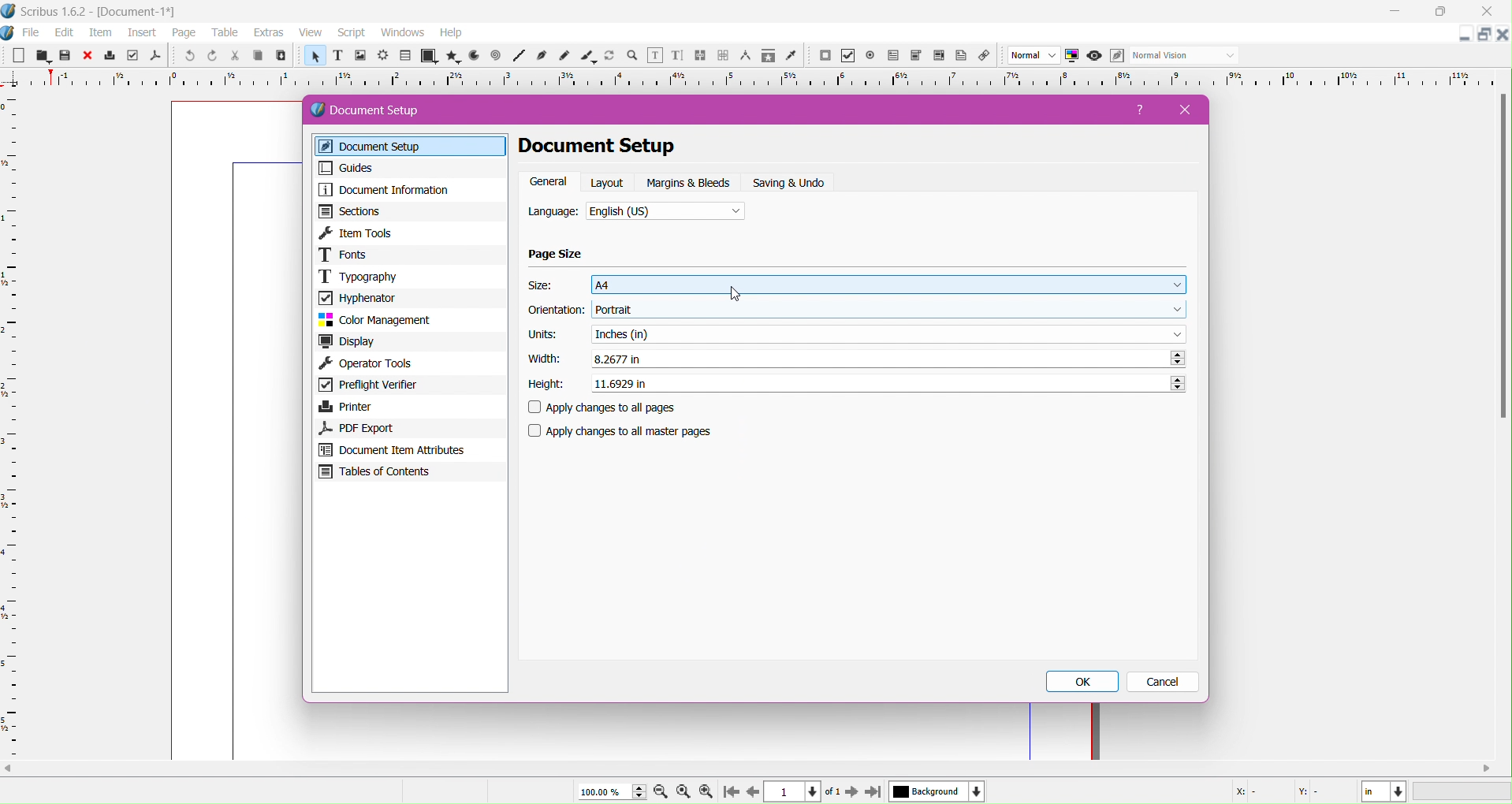 This screenshot has width=1512, height=804. What do you see at coordinates (1183, 56) in the screenshot?
I see `visual appearance of the display` at bounding box center [1183, 56].